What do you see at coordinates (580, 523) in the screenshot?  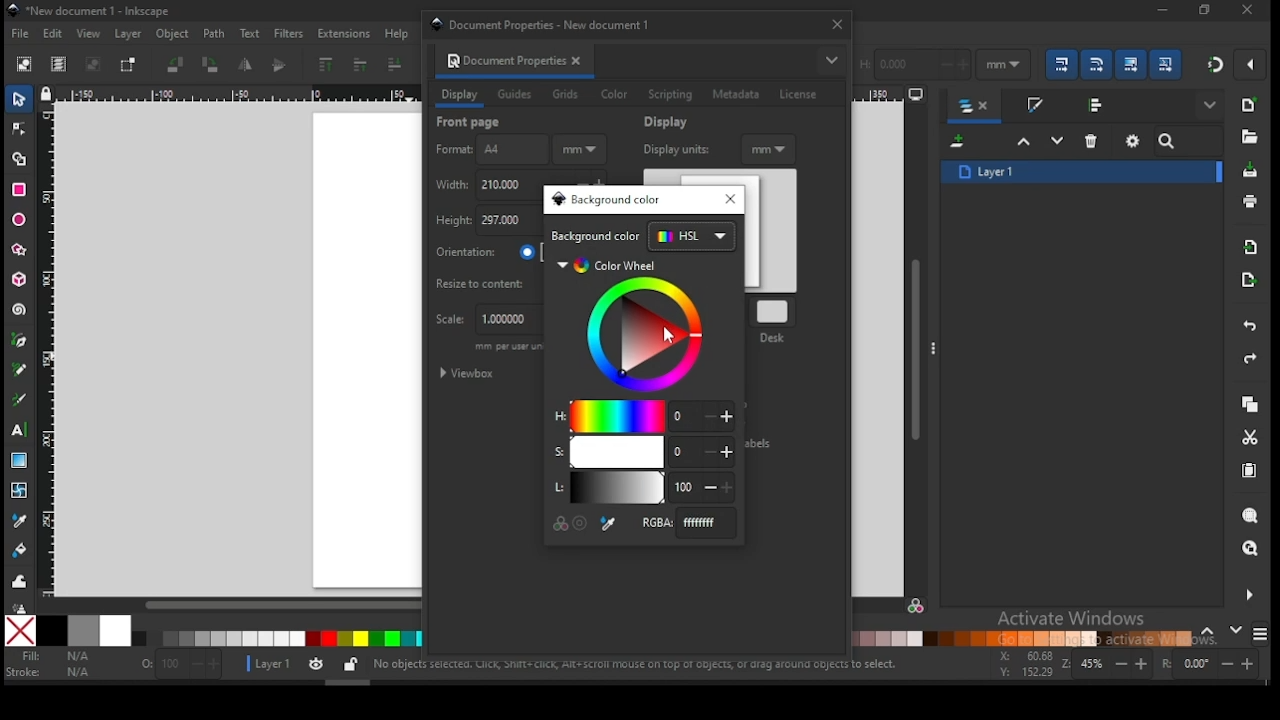 I see `out of gamut!` at bounding box center [580, 523].